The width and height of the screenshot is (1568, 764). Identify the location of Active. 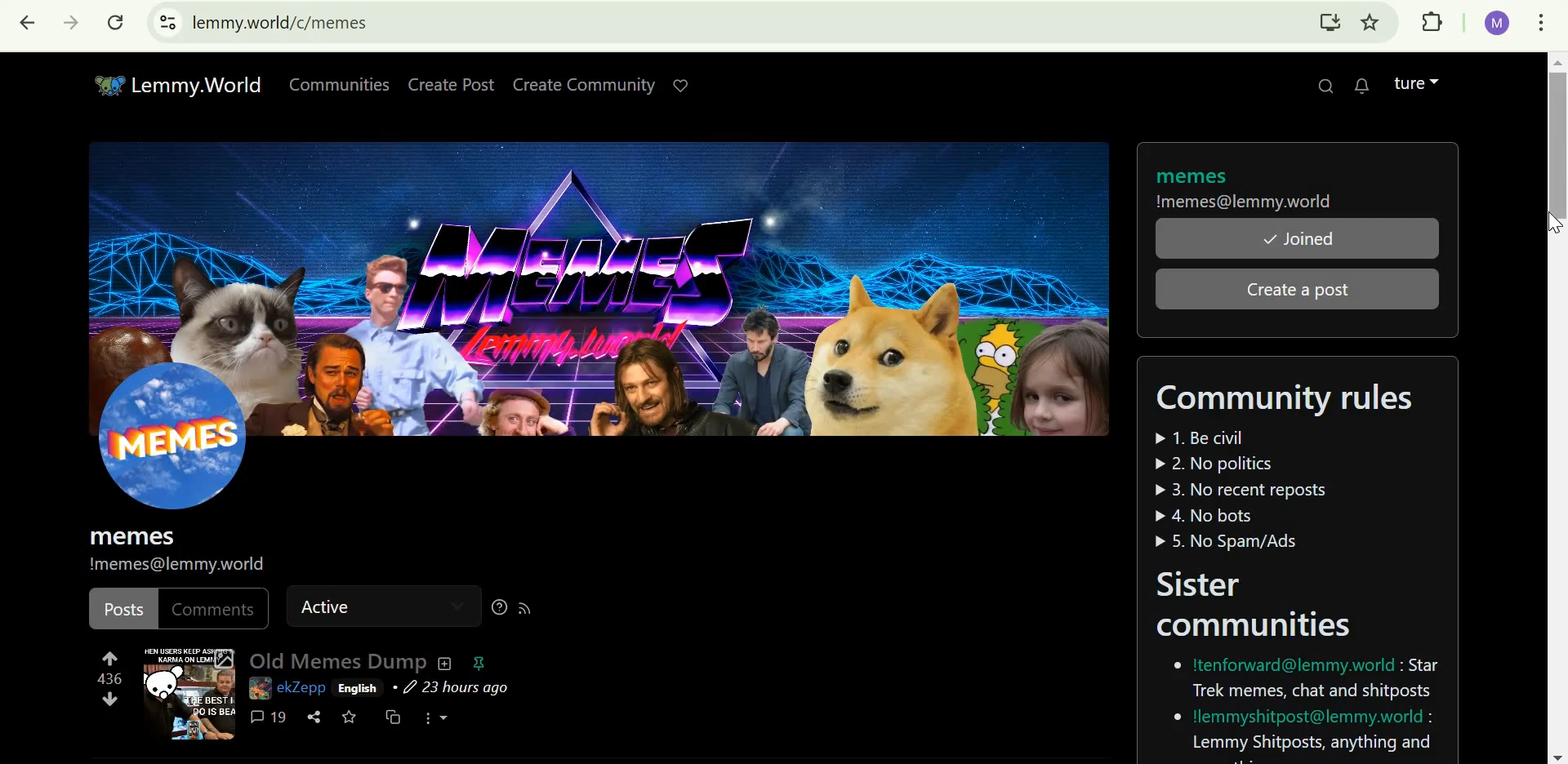
(368, 606).